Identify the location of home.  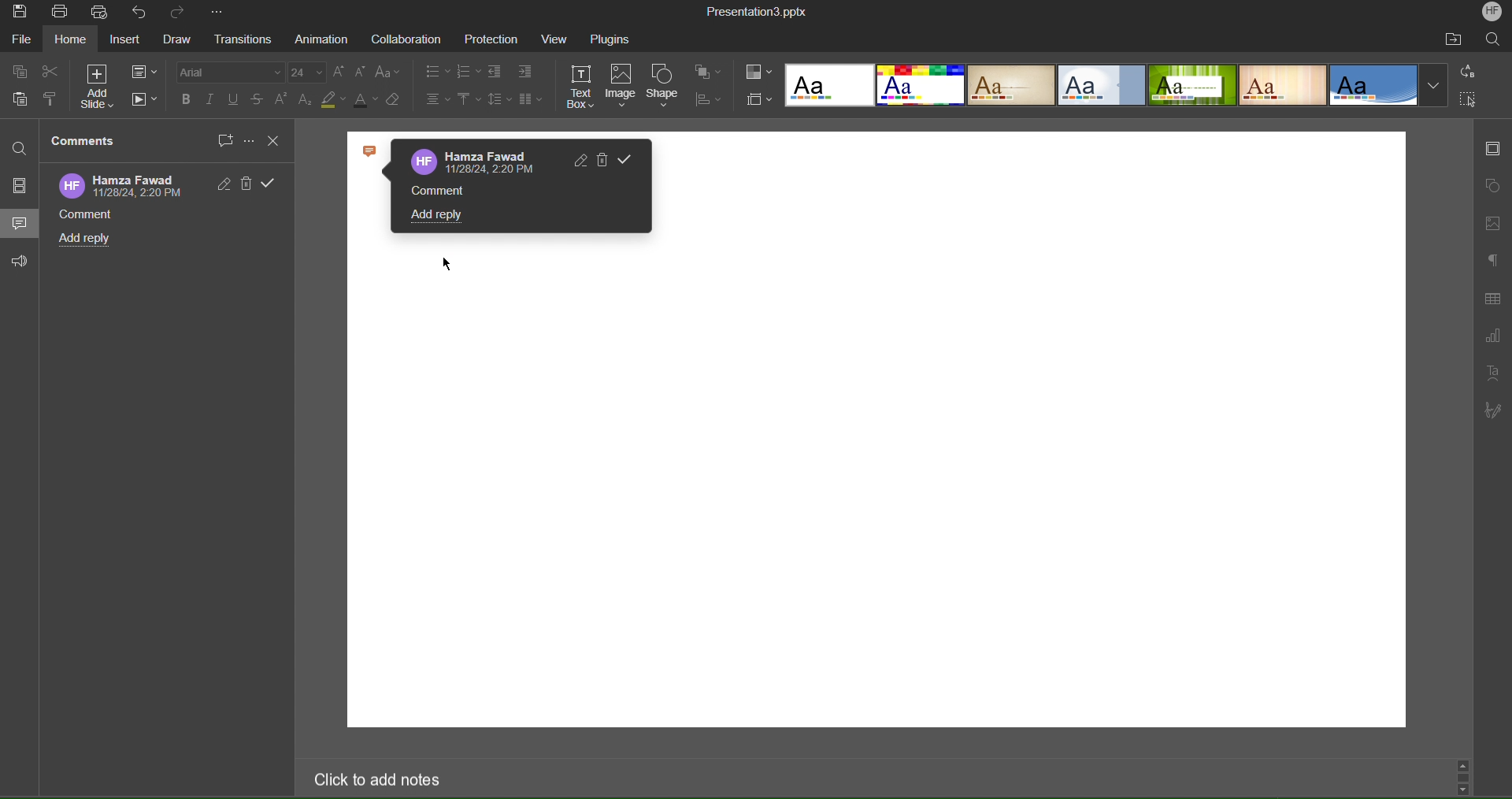
(72, 41).